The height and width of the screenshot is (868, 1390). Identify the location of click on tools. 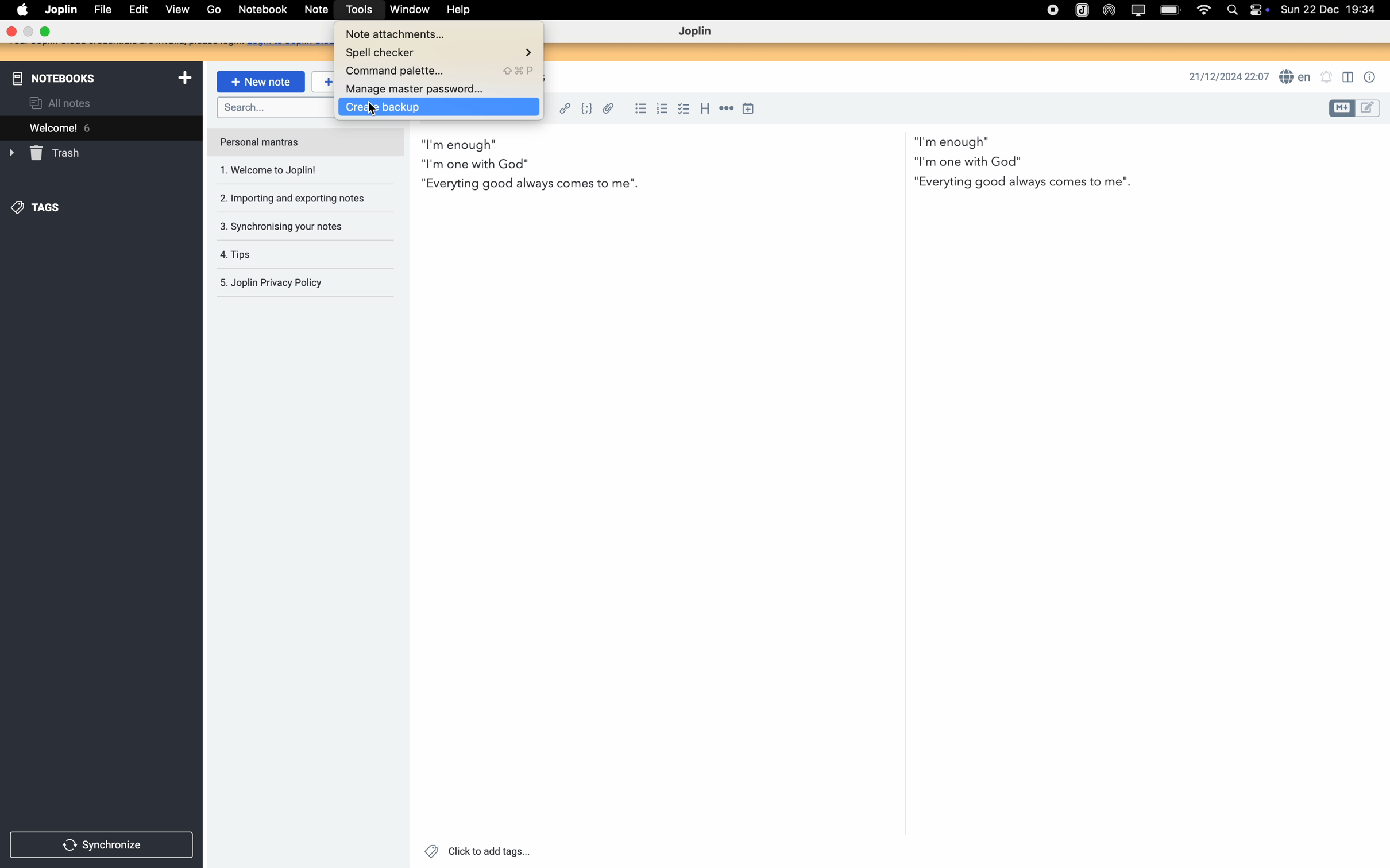
(355, 11).